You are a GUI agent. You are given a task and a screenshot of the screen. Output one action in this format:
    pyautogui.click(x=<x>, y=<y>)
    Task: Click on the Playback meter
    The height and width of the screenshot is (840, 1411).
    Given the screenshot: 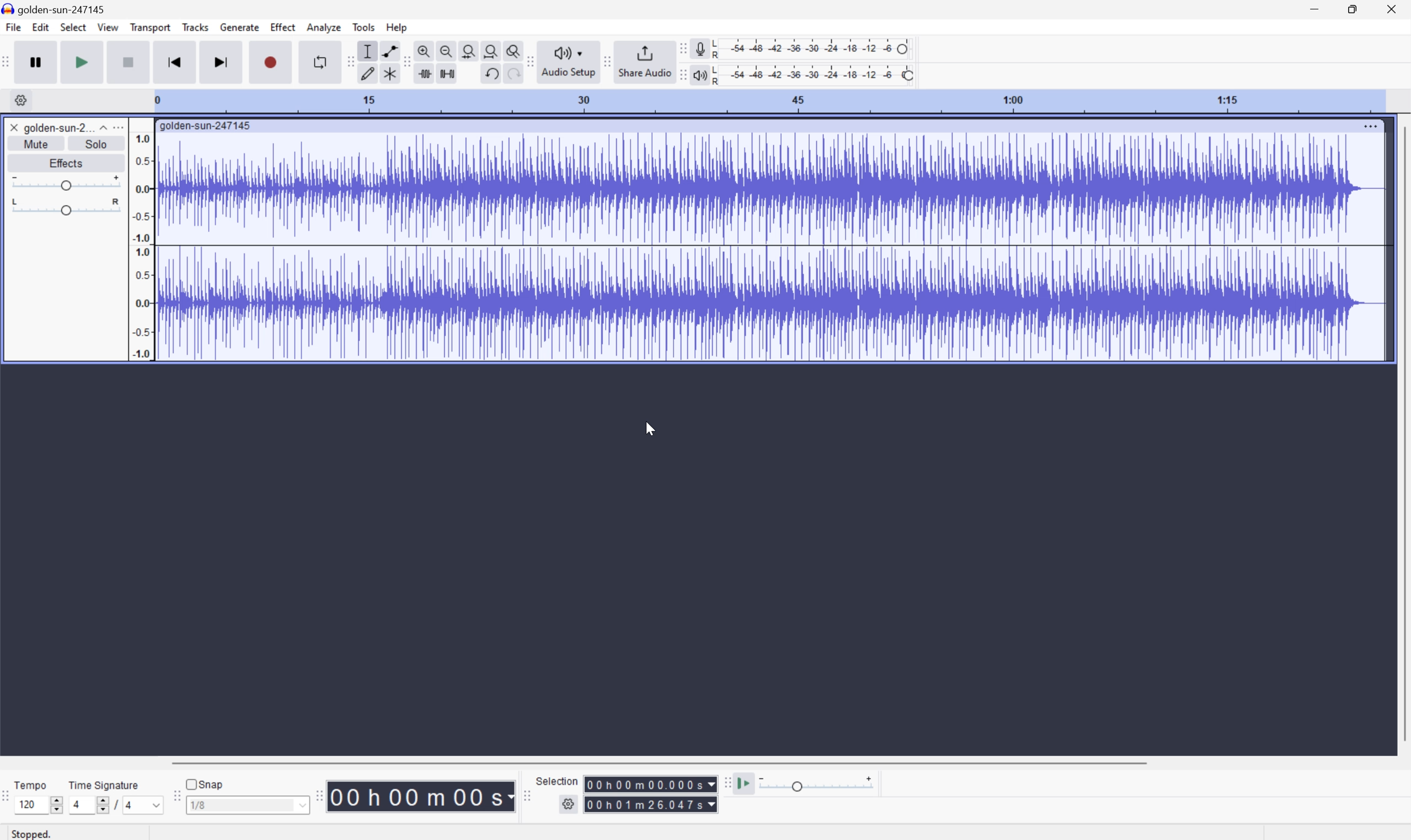 What is the action you would take?
    pyautogui.click(x=700, y=76)
    